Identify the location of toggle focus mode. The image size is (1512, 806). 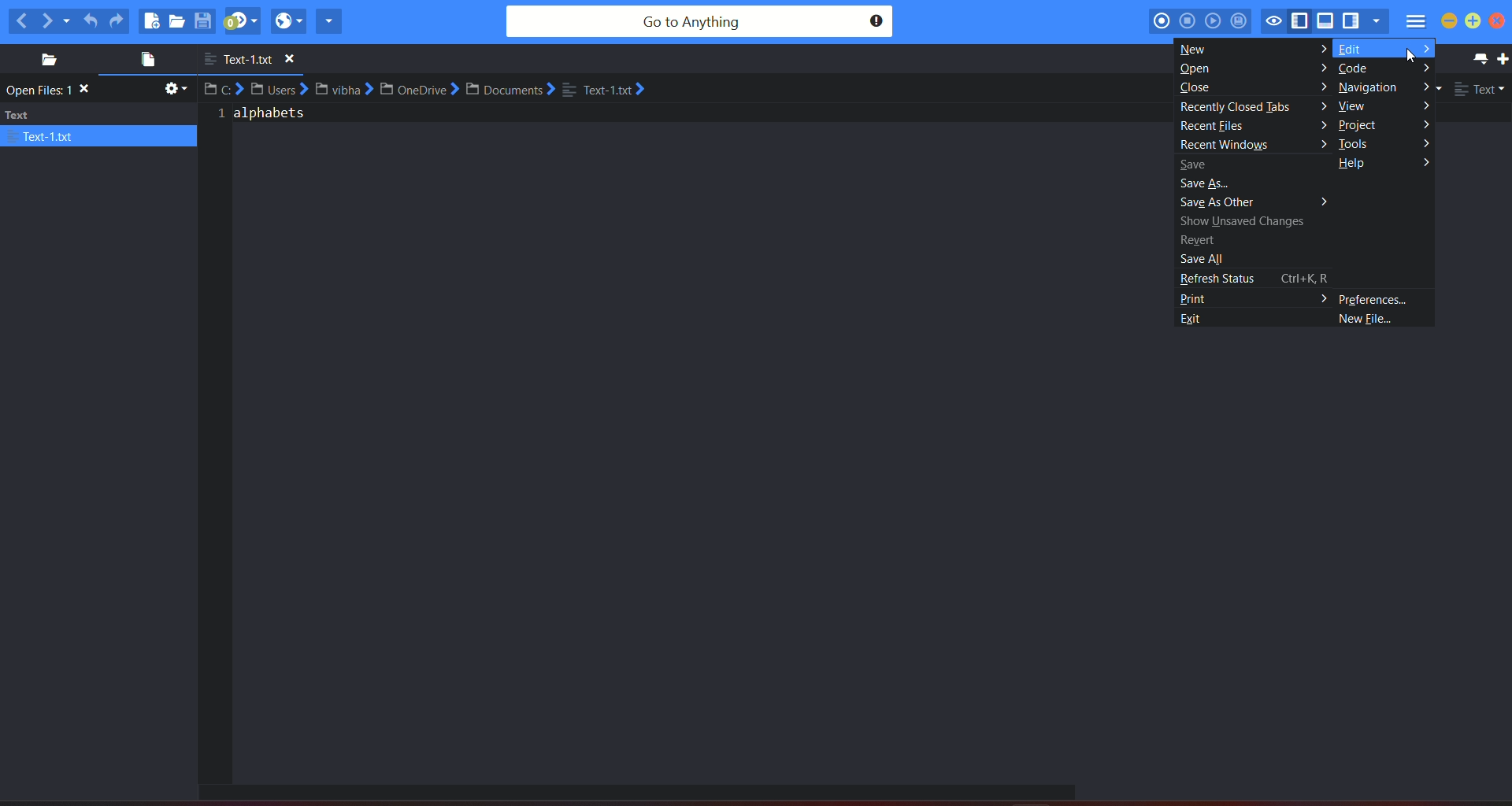
(1276, 22).